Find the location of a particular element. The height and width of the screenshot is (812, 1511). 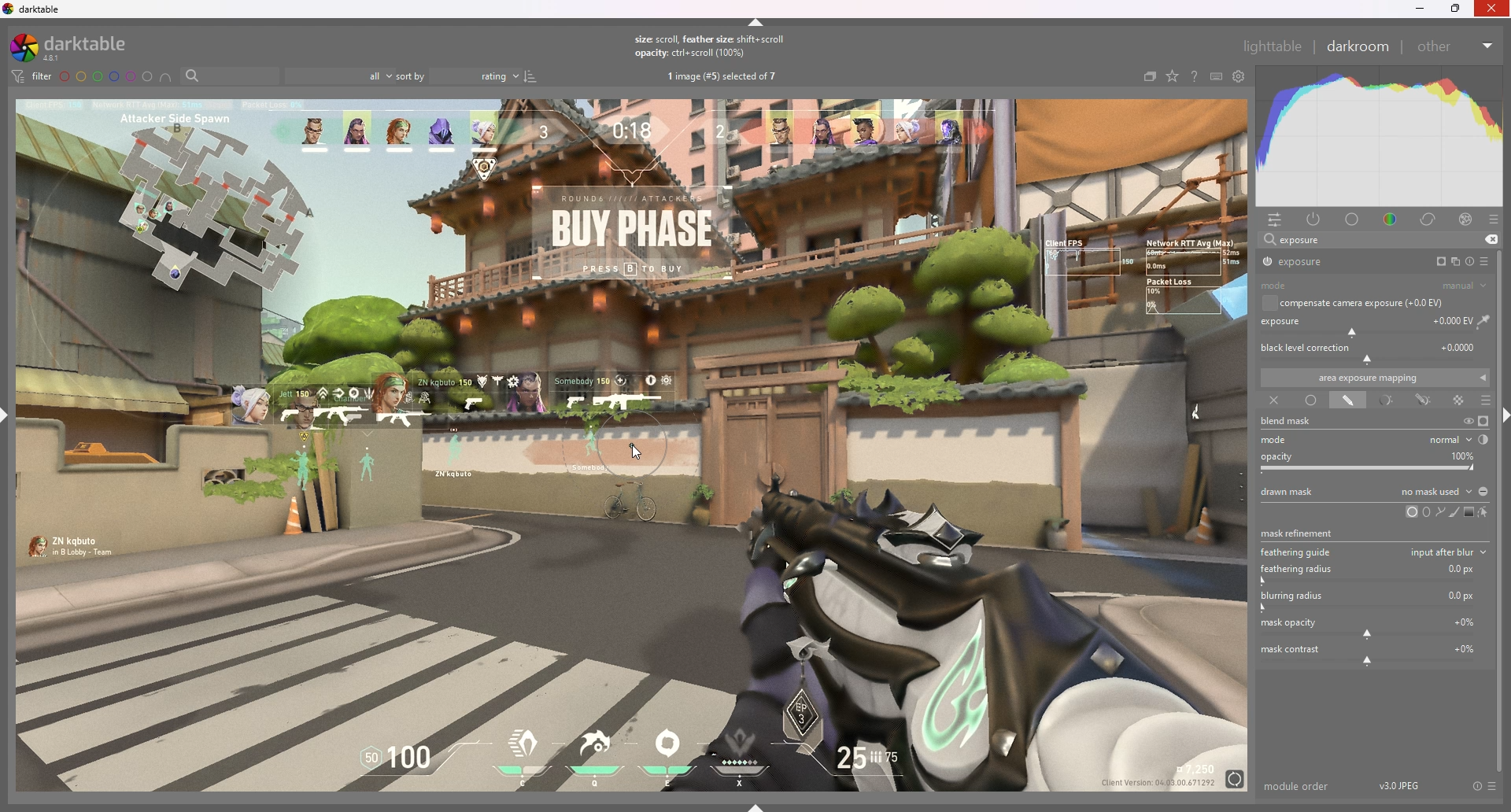

ellipse is located at coordinates (1427, 511).